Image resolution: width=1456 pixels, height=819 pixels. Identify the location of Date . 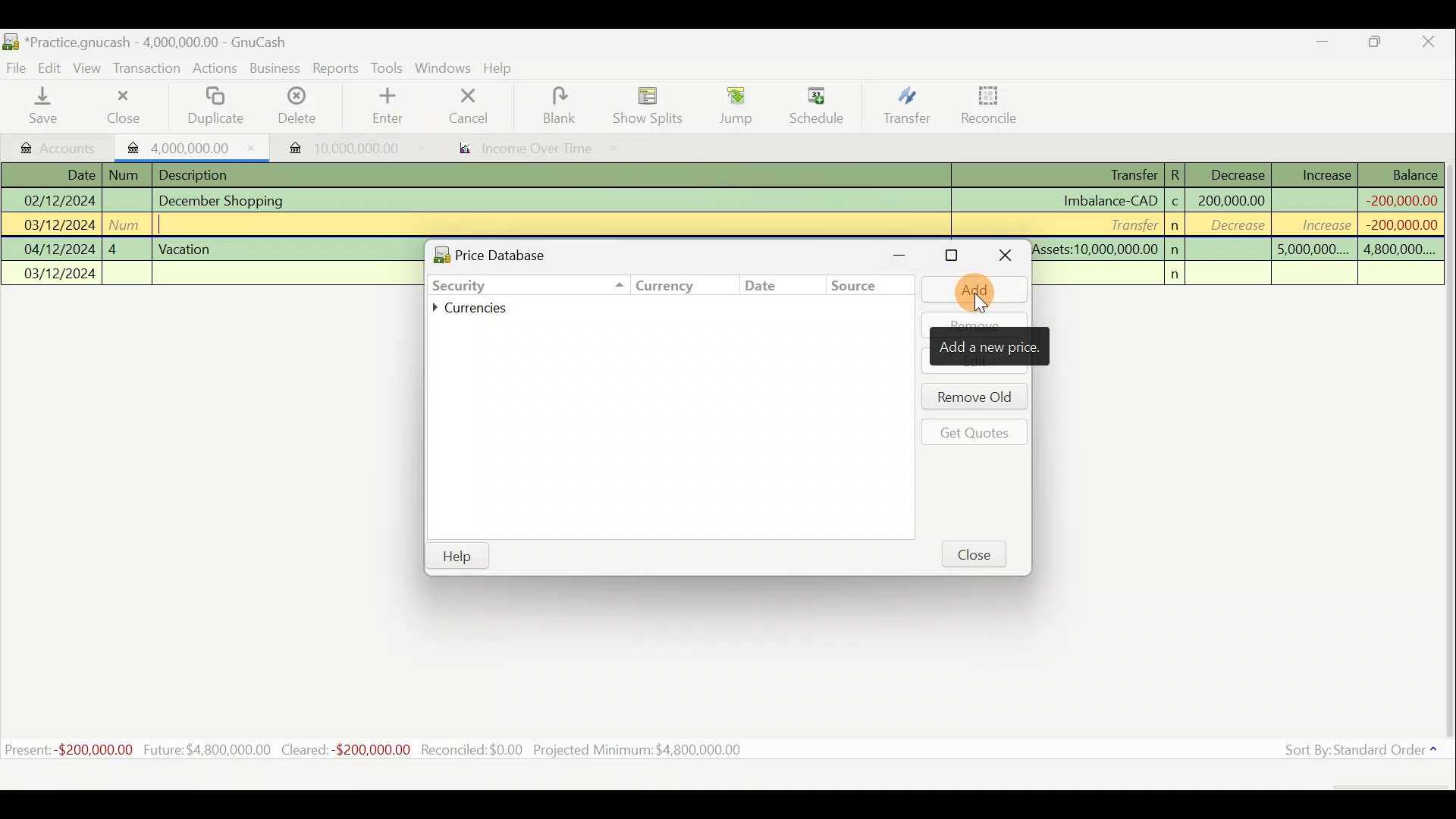
(71, 174).